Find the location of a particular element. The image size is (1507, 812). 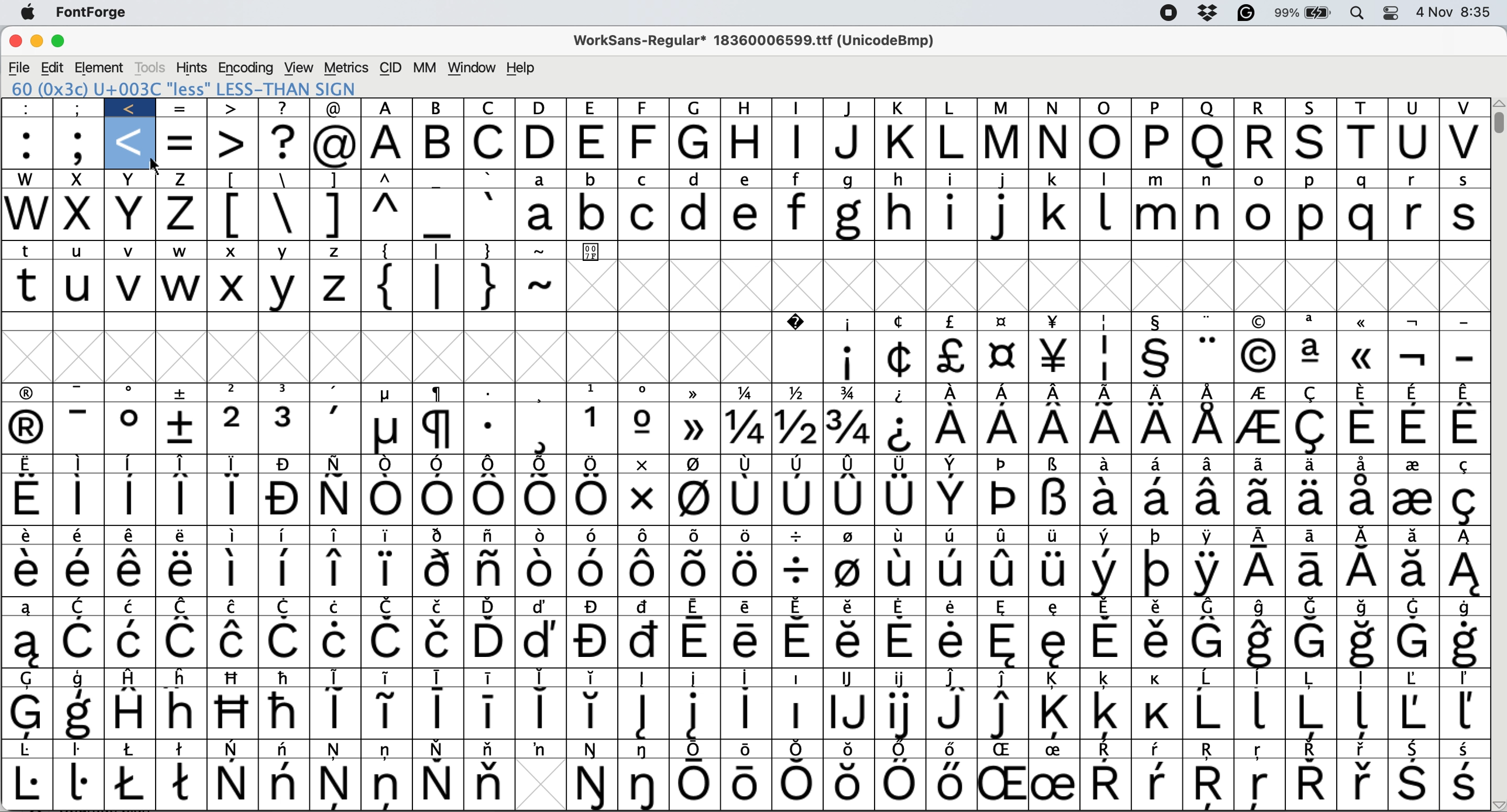

Symbol is located at coordinates (796, 605).